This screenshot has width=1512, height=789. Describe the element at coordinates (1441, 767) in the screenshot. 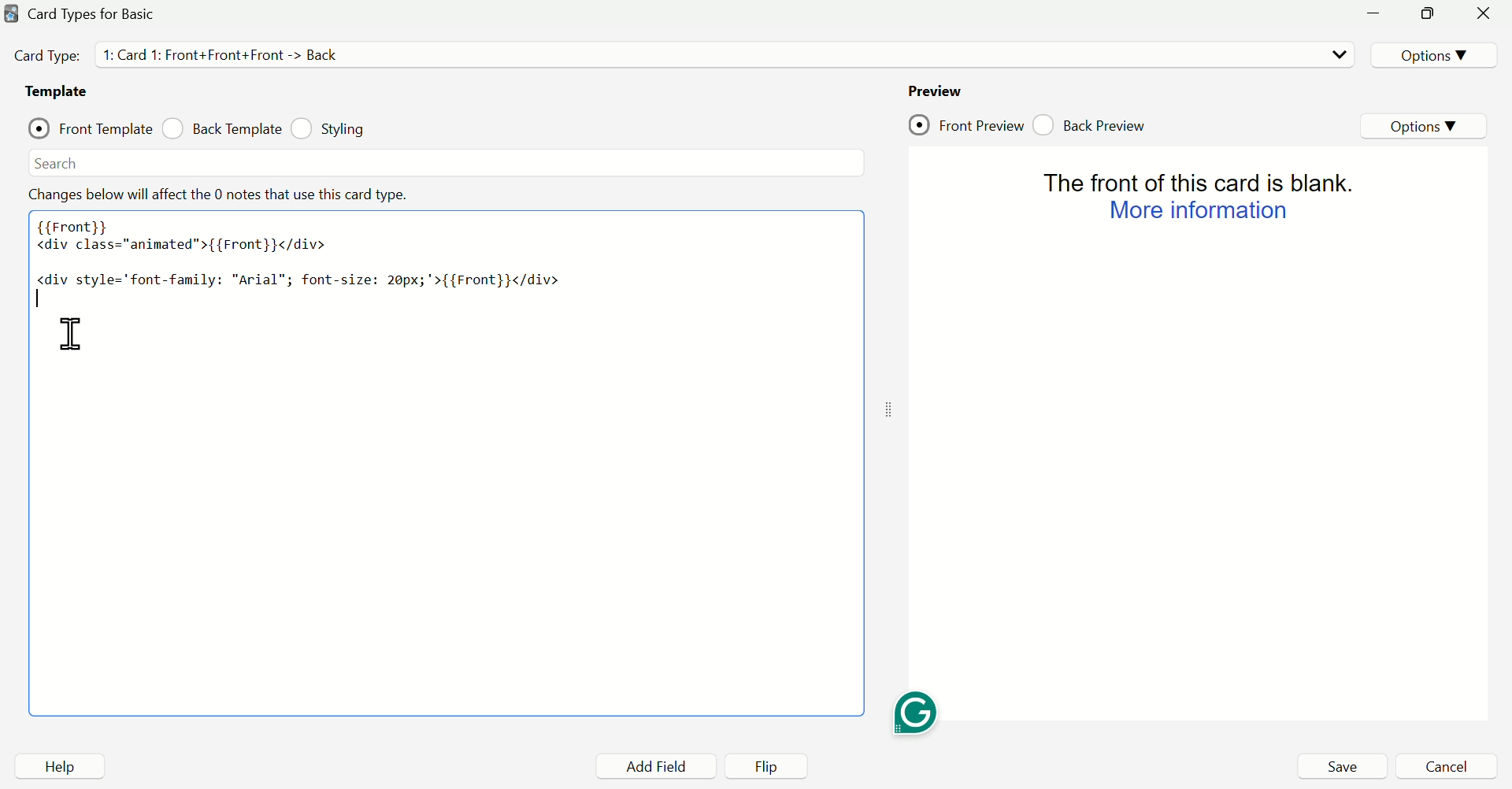

I see `Cancel` at that location.